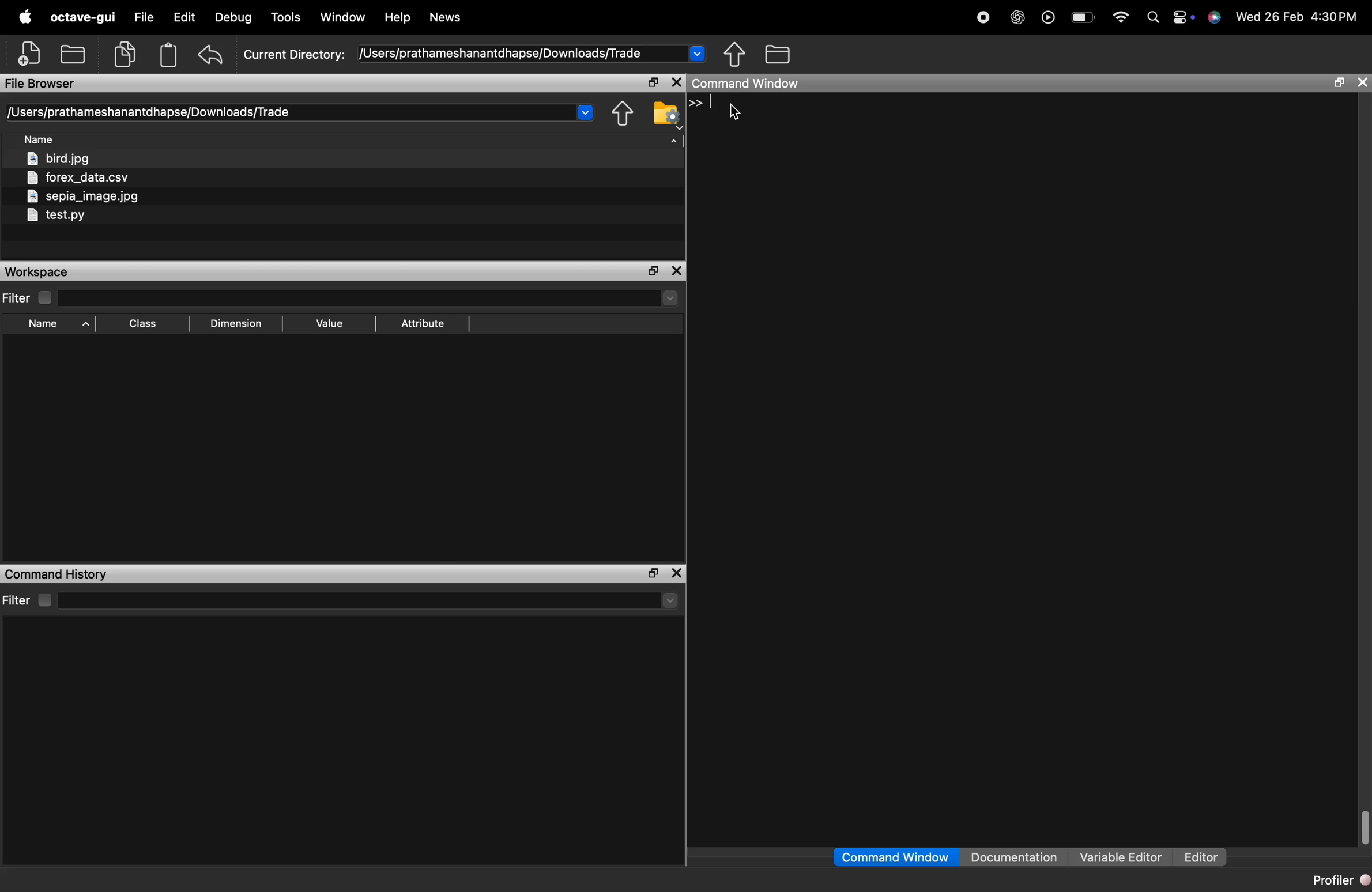  I want to click on Drop-down , so click(584, 111).